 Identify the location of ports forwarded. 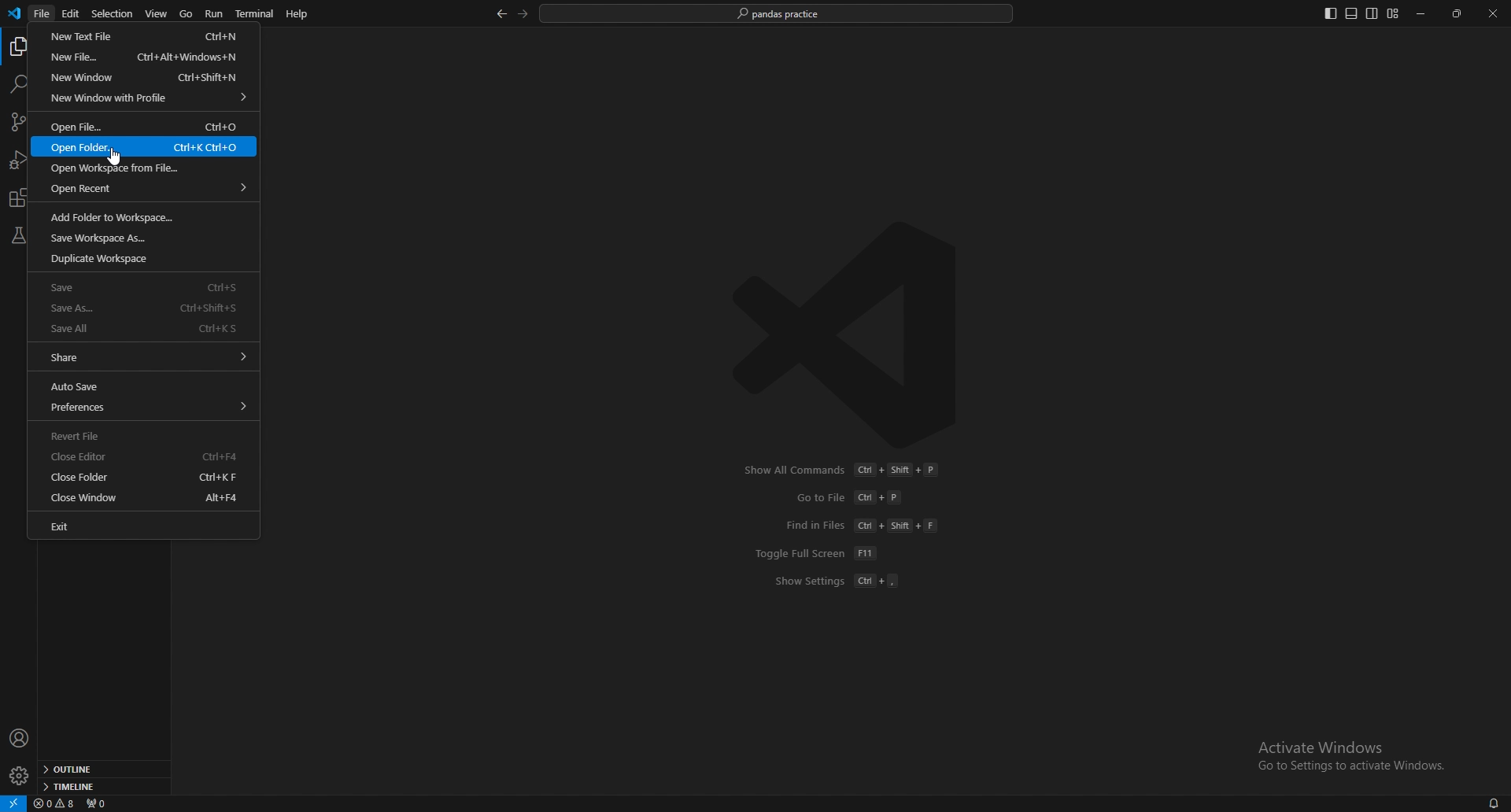
(96, 803).